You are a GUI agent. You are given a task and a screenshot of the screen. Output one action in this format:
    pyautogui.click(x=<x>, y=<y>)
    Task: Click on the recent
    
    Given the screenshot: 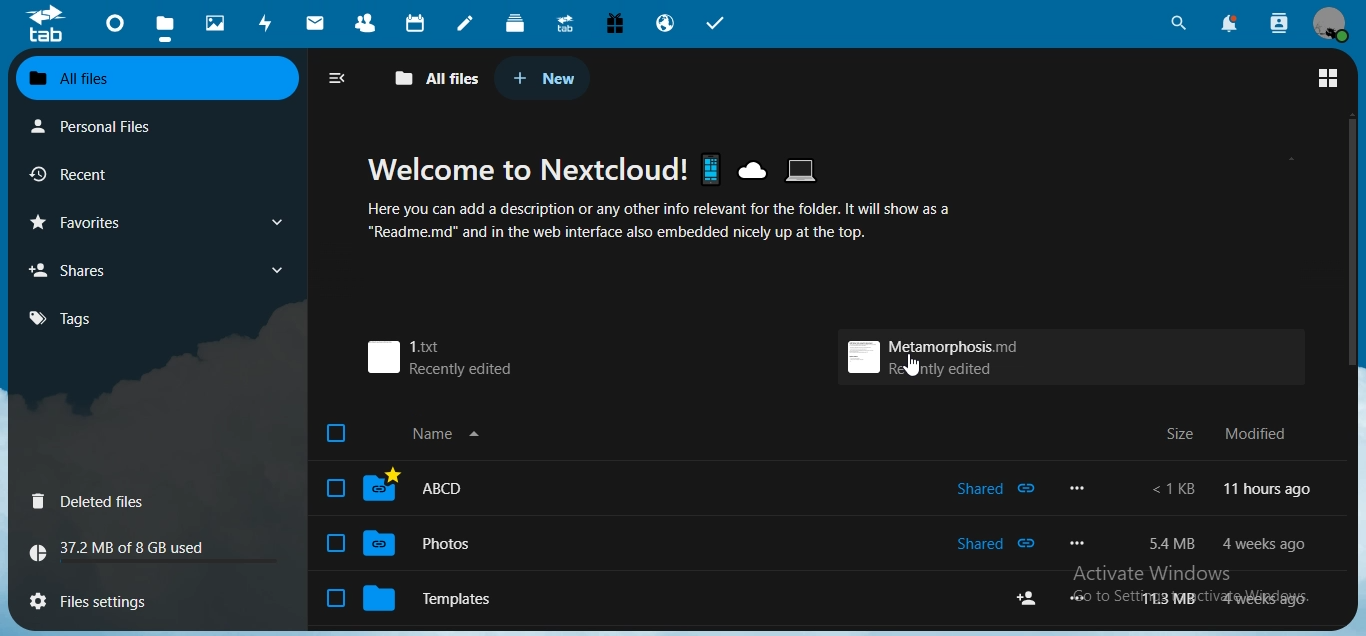 What is the action you would take?
    pyautogui.click(x=79, y=171)
    